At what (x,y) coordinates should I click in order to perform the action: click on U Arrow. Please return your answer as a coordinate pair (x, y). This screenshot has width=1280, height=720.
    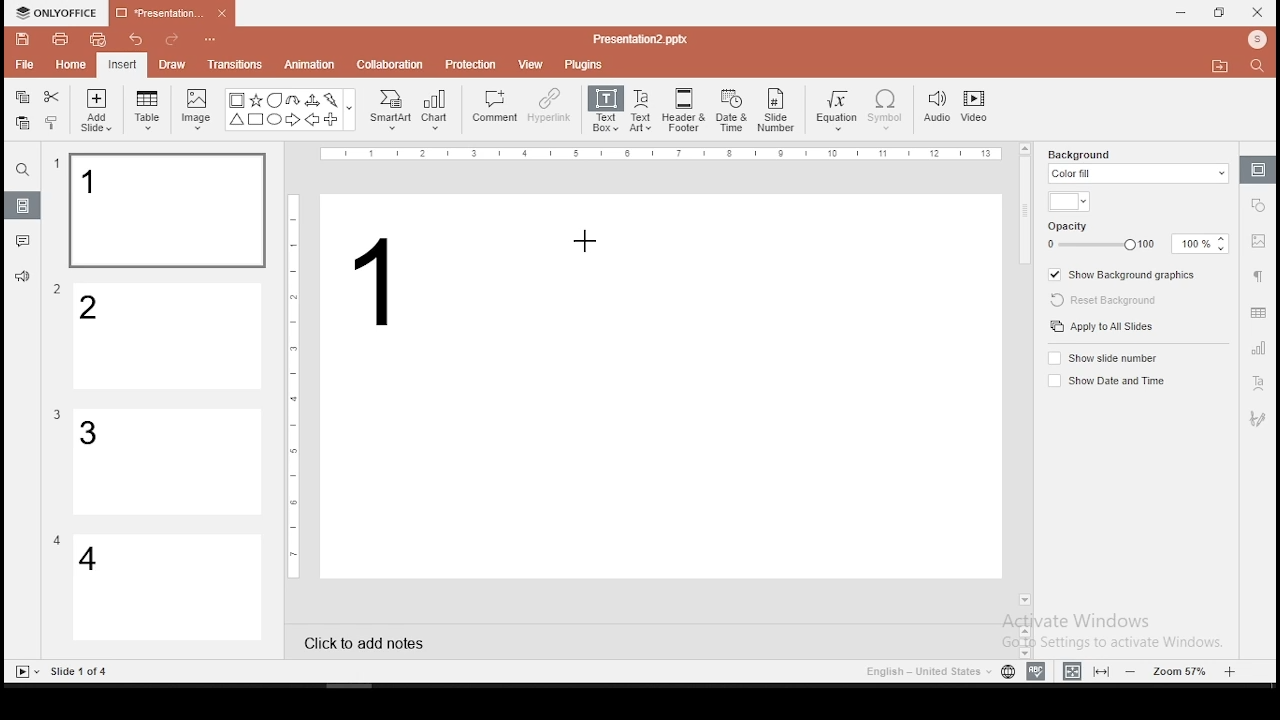
    Looking at the image, I should click on (294, 100).